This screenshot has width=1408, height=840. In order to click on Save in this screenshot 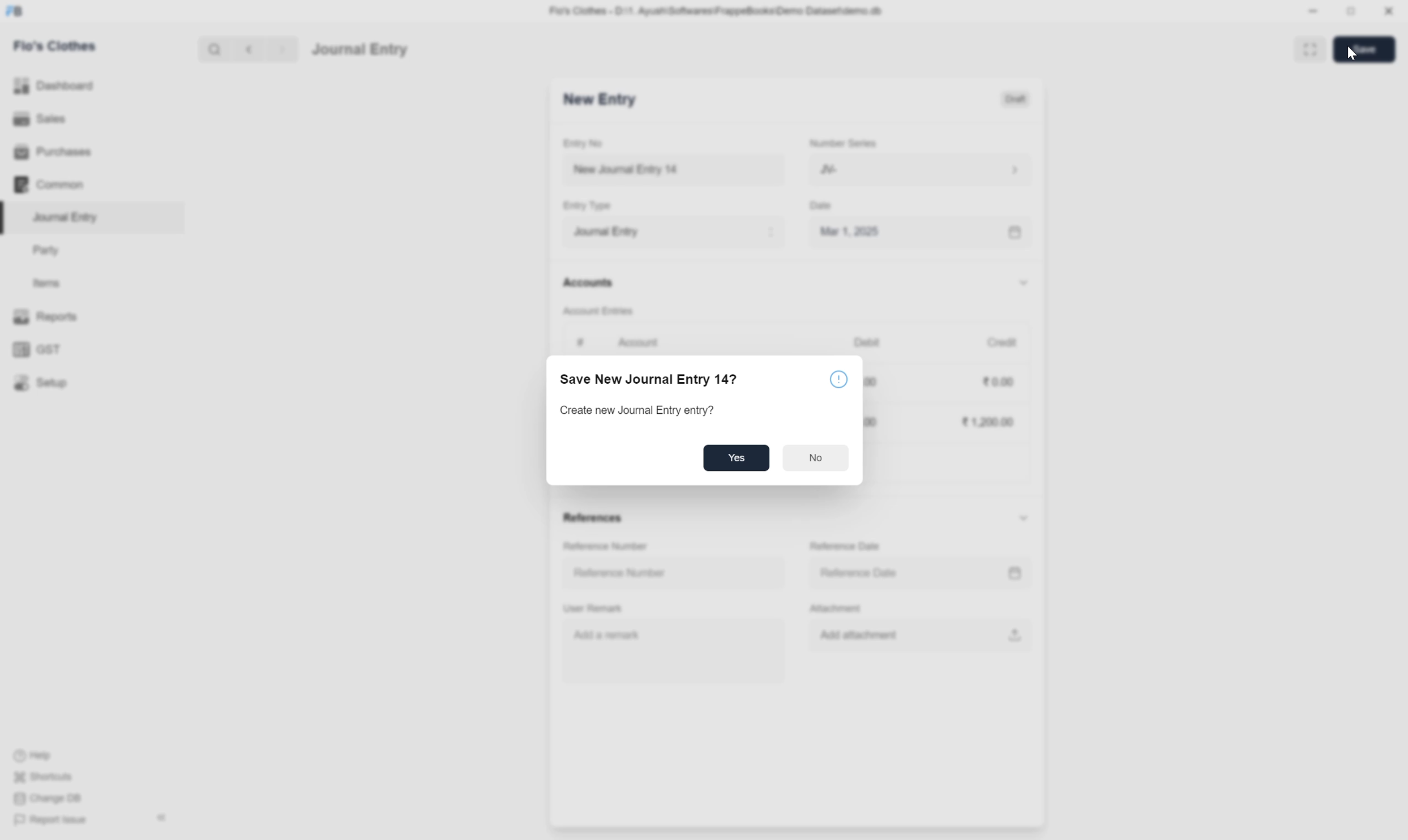, I will do `click(1365, 50)`.